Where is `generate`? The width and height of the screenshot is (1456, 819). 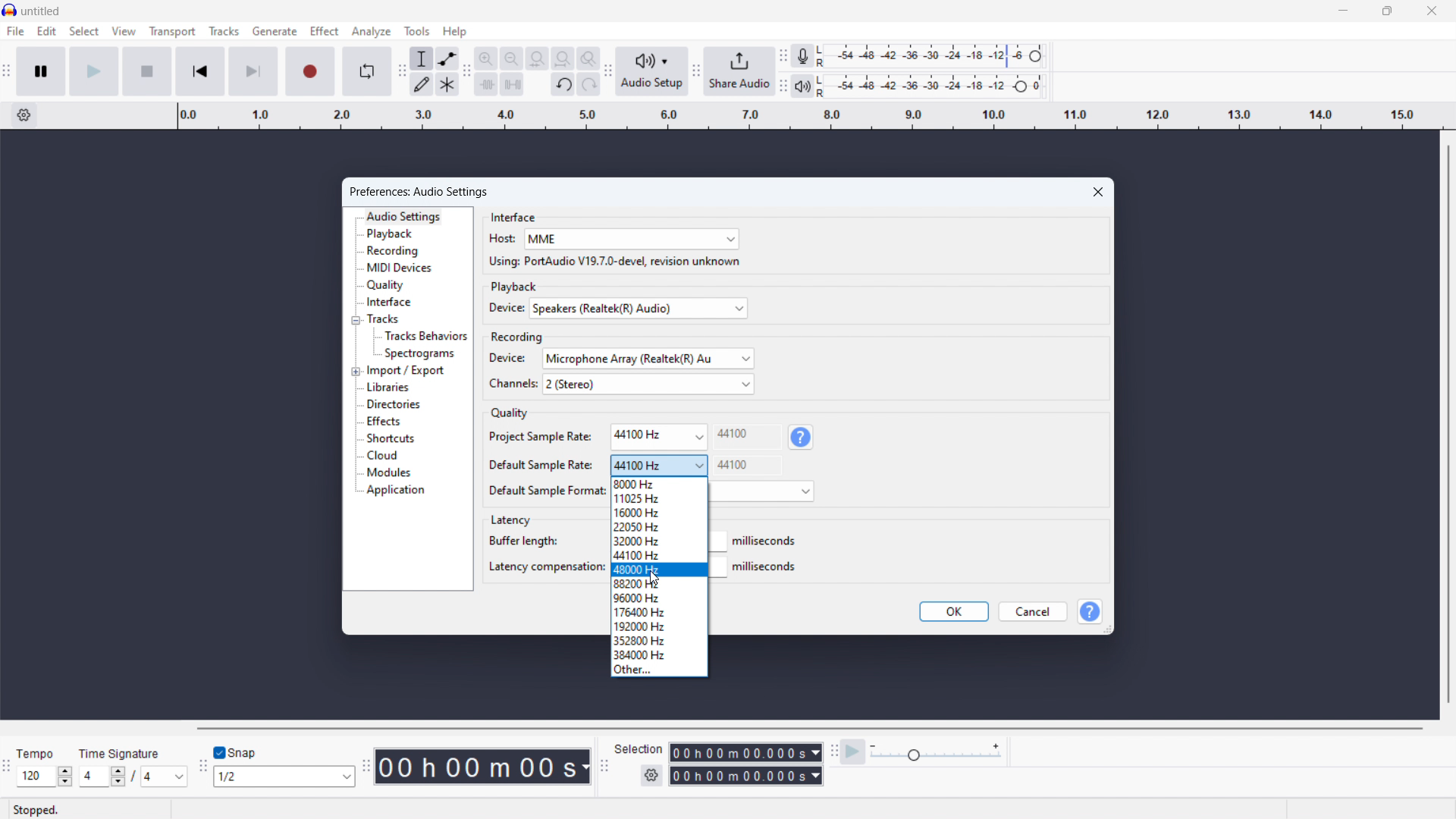 generate is located at coordinates (275, 31).